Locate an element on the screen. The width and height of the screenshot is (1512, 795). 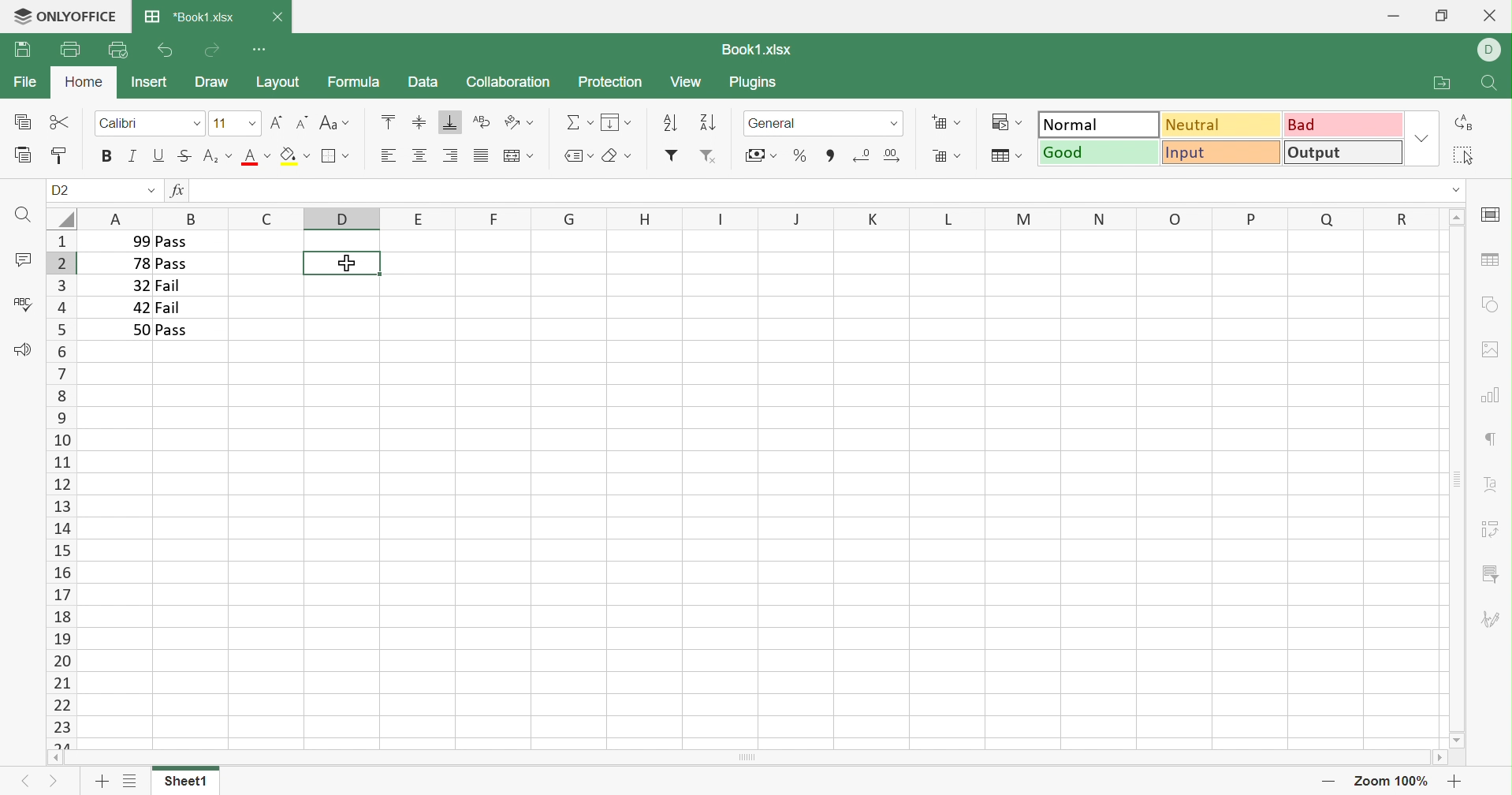
Align middle is located at coordinates (421, 155).